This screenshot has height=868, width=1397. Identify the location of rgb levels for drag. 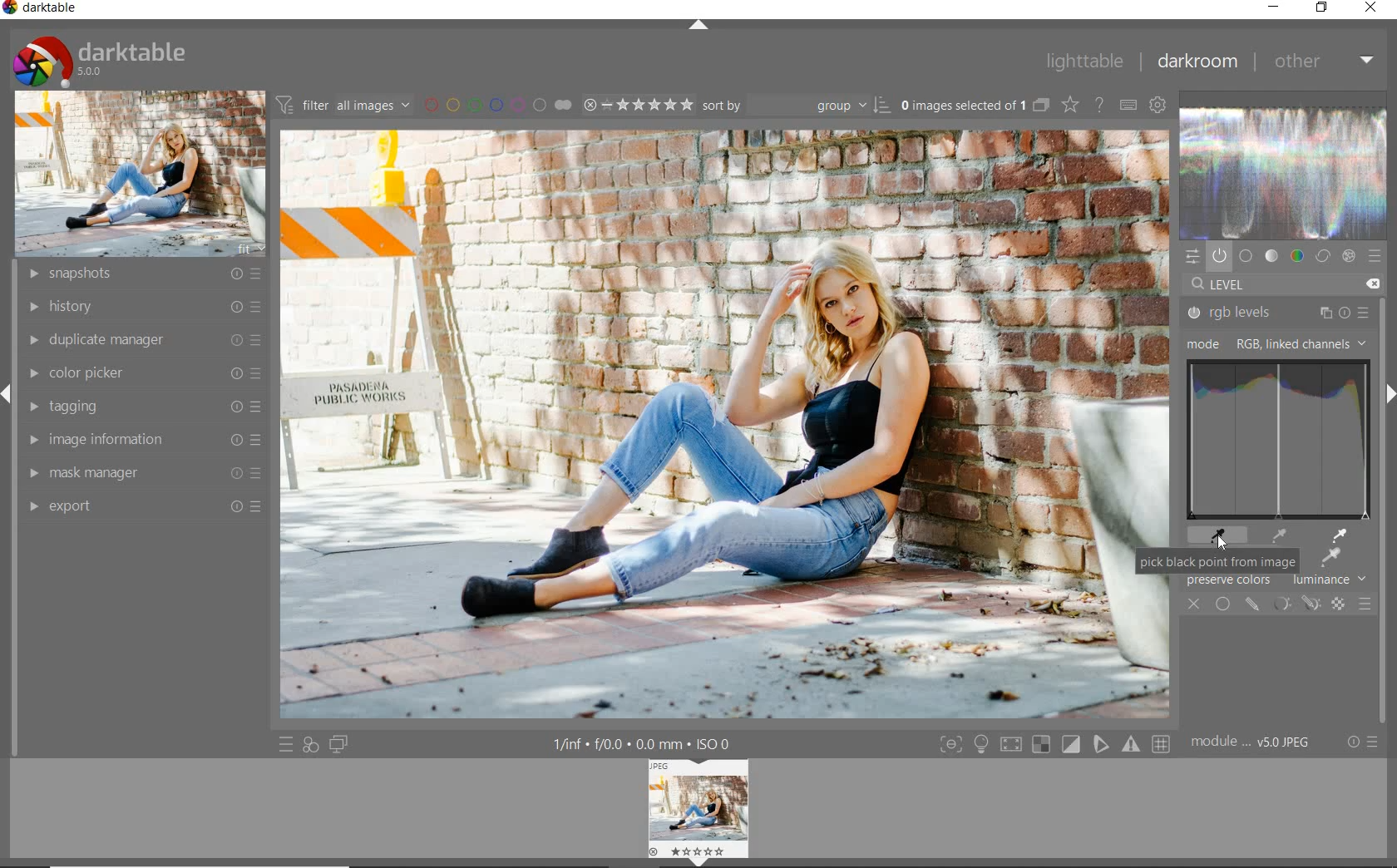
(1278, 440).